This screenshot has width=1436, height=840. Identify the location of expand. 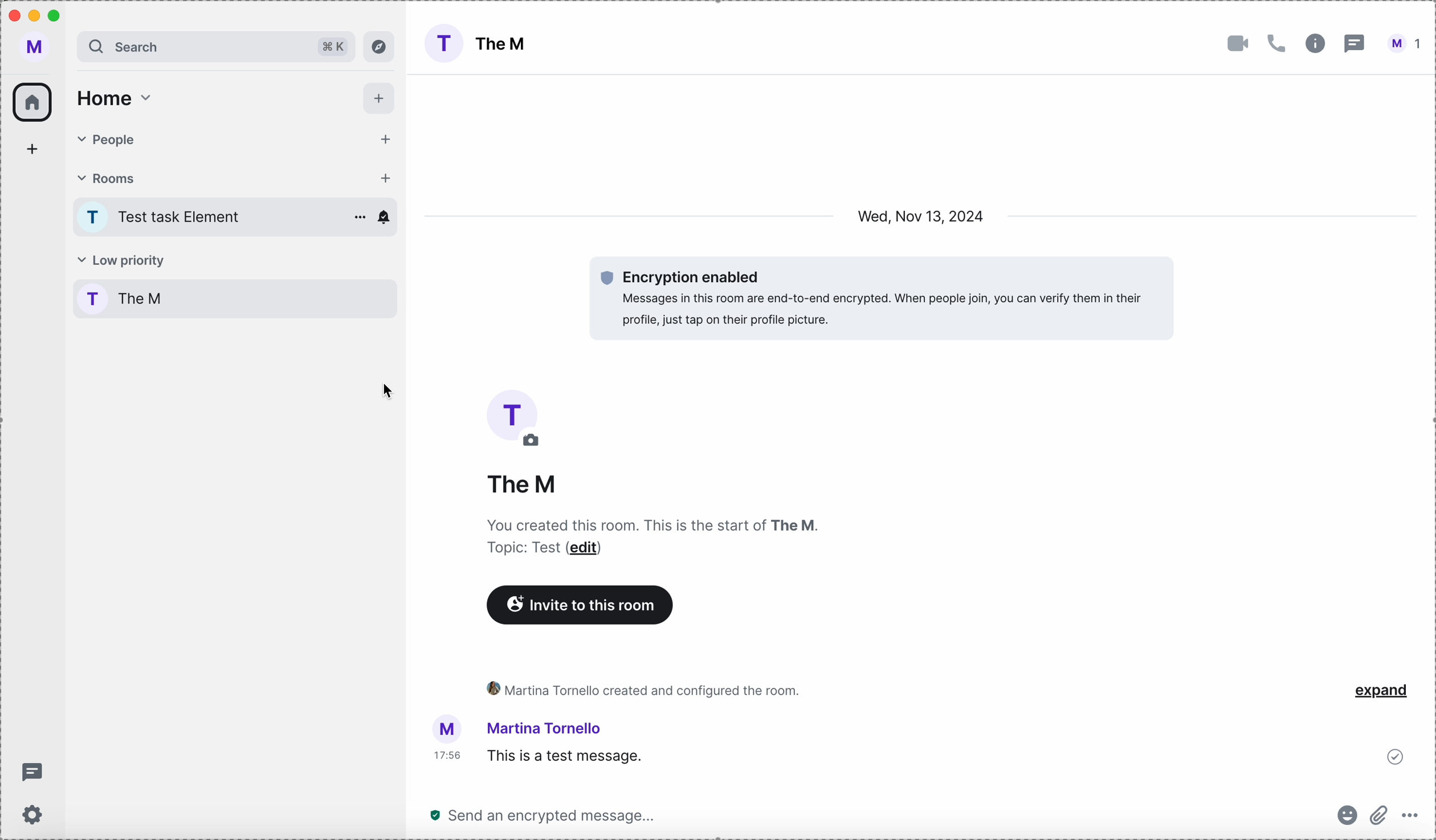
(1383, 691).